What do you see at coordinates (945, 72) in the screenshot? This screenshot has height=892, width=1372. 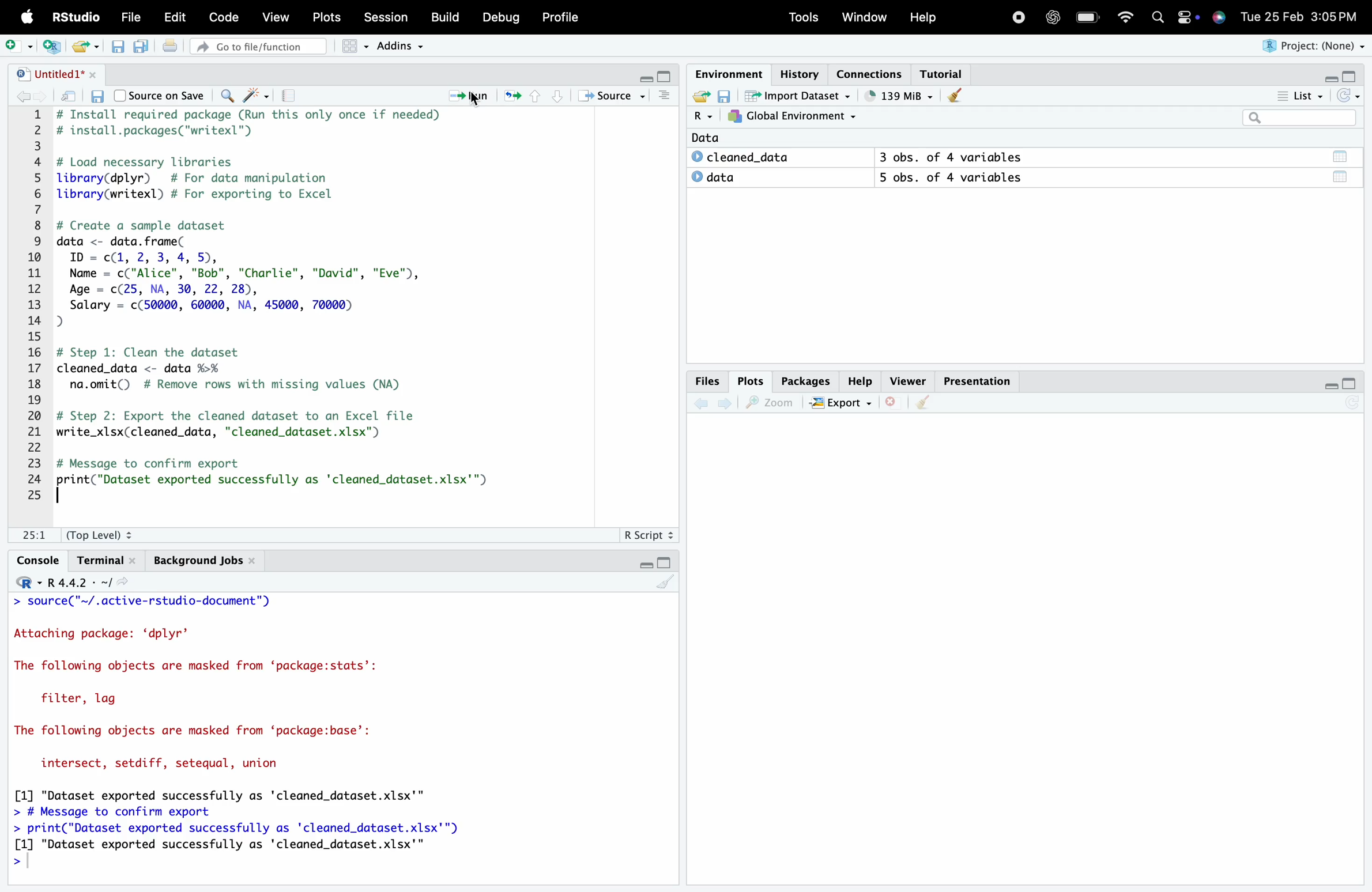 I see `Tutorial` at bounding box center [945, 72].